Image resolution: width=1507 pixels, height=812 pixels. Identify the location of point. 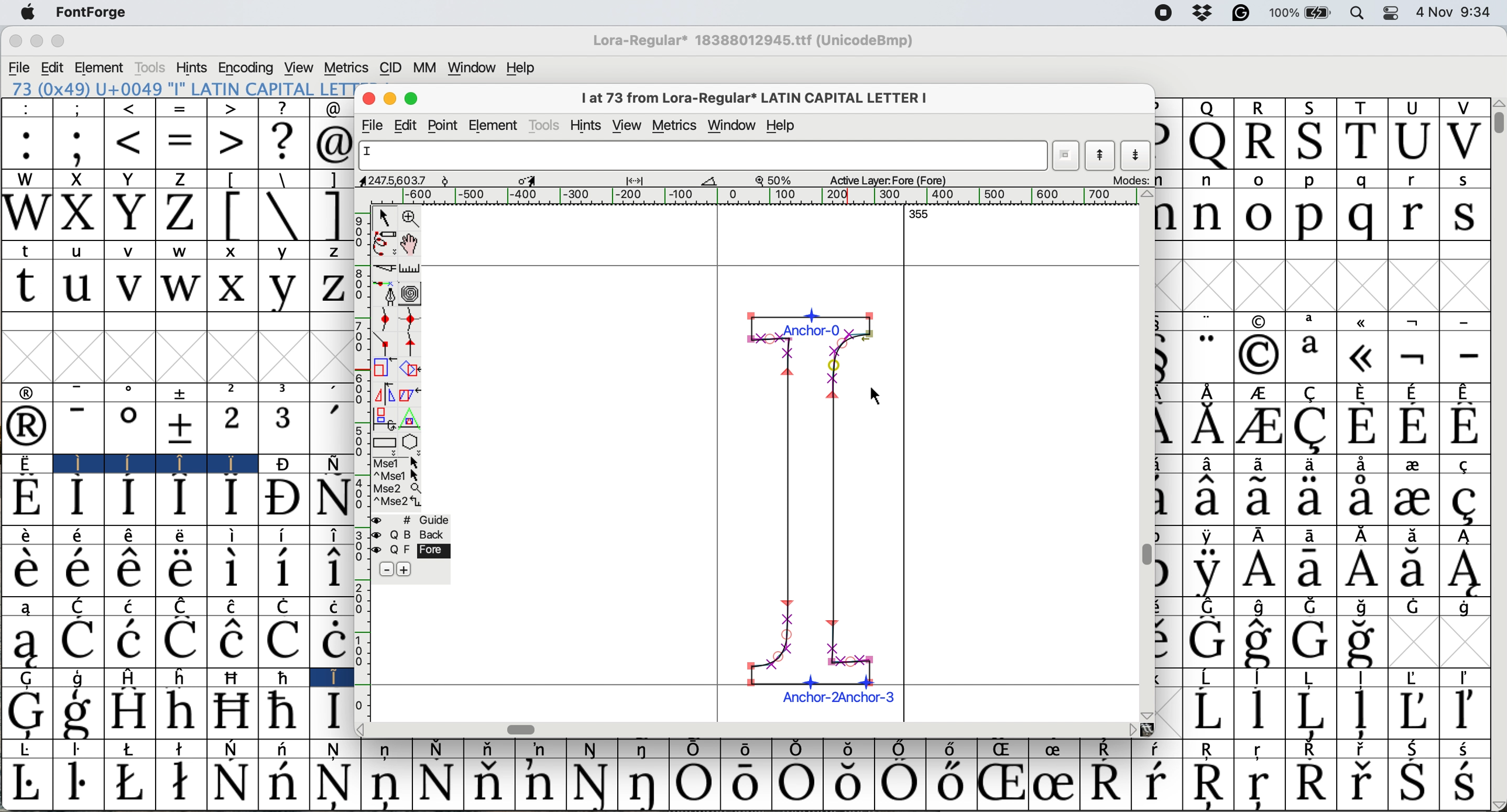
(446, 125).